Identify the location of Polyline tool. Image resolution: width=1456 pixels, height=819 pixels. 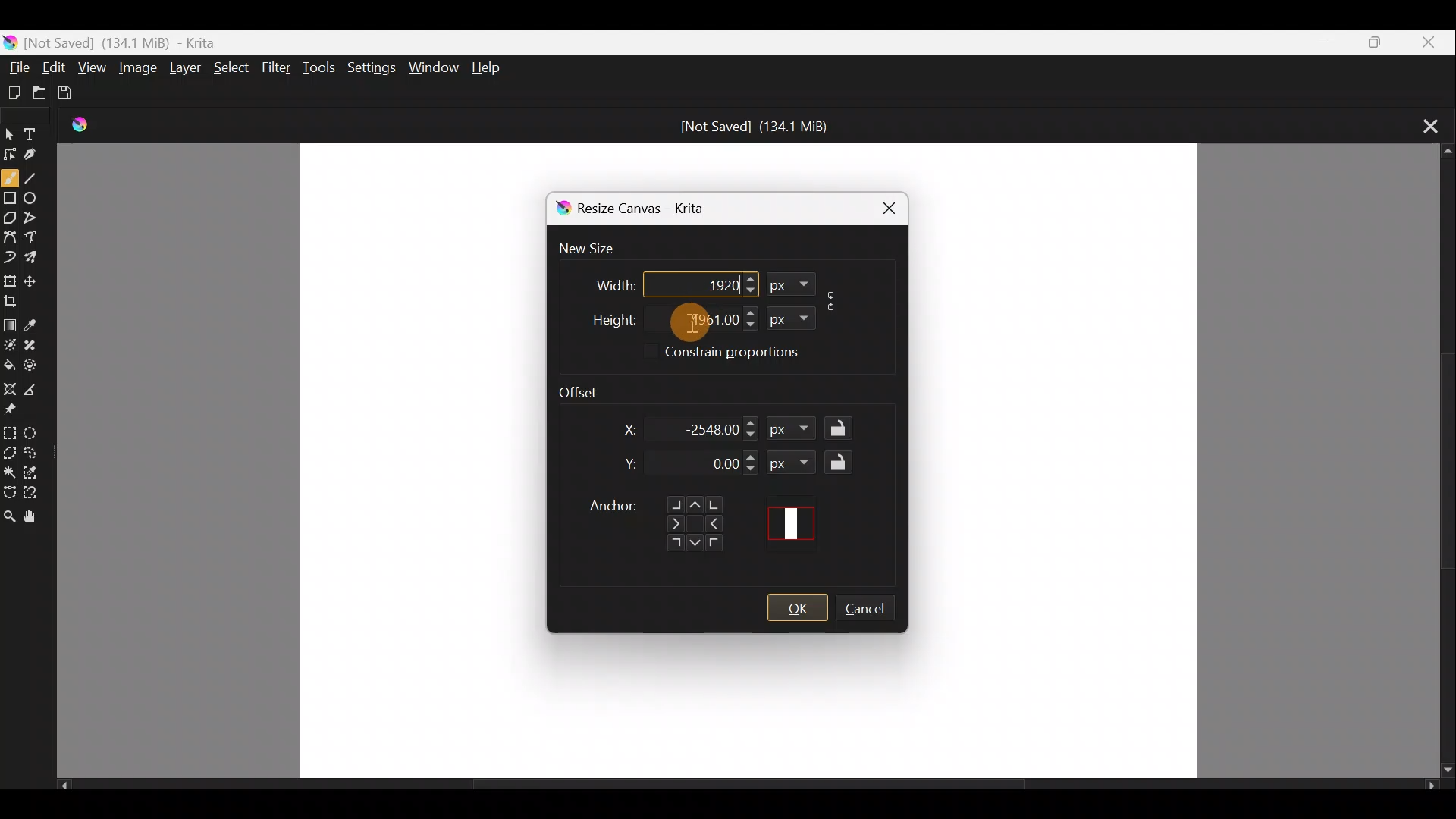
(36, 213).